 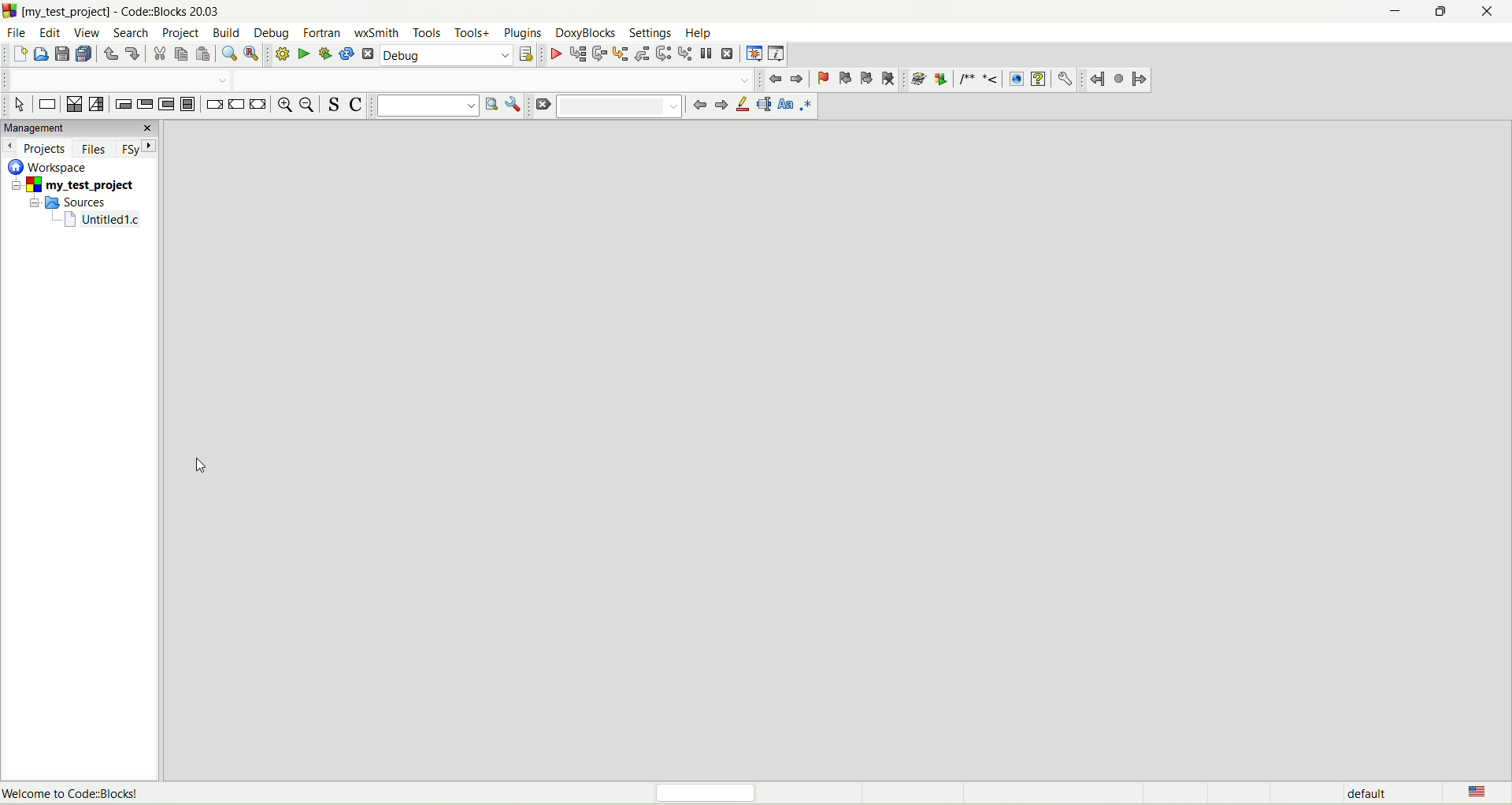 What do you see at coordinates (540, 106) in the screenshot?
I see `clear` at bounding box center [540, 106].